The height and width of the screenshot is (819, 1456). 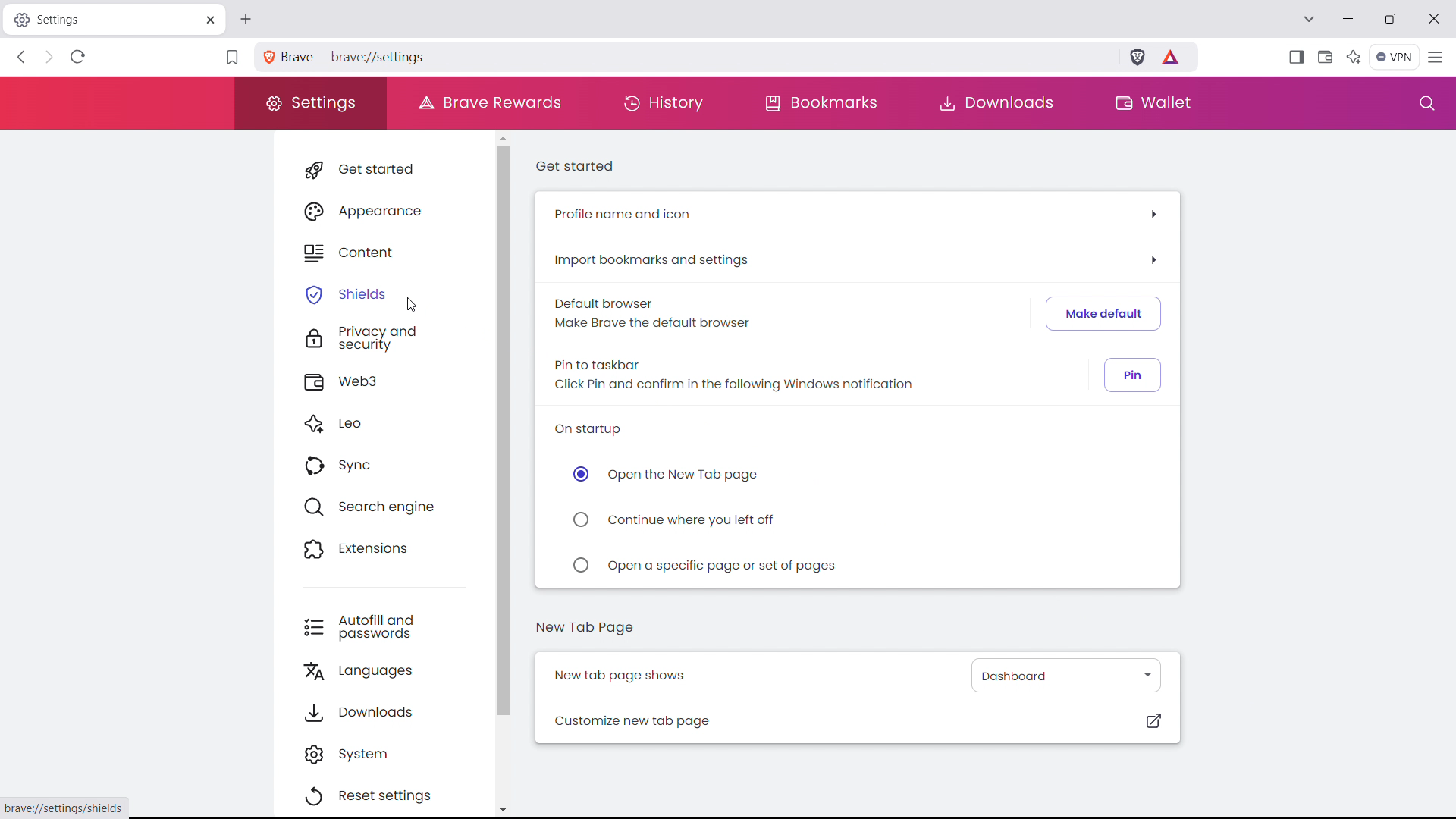 What do you see at coordinates (1324, 57) in the screenshot?
I see `wallet` at bounding box center [1324, 57].